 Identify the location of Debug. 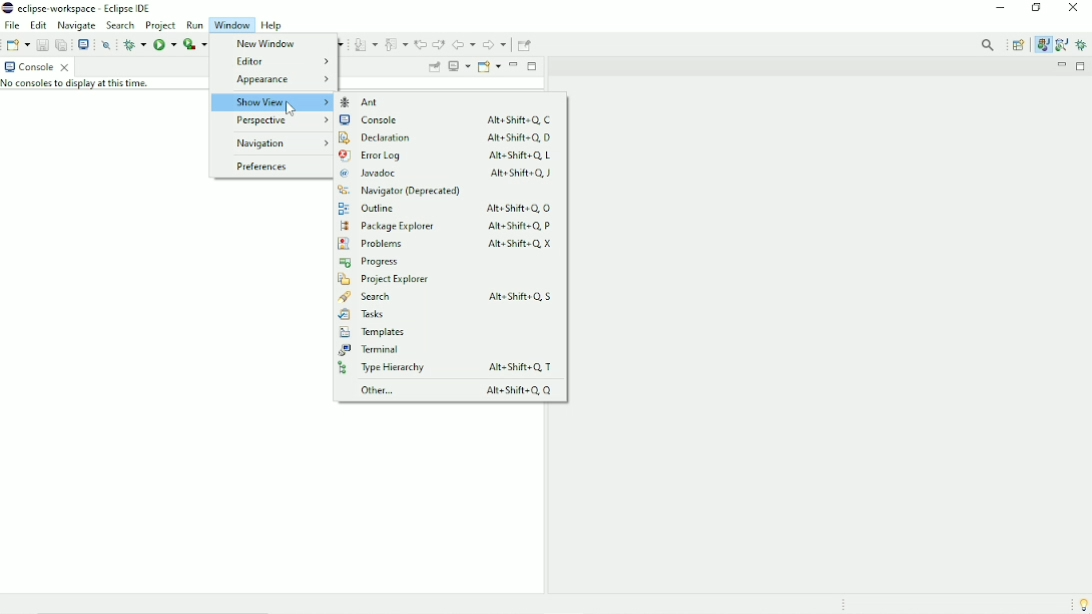
(1082, 45).